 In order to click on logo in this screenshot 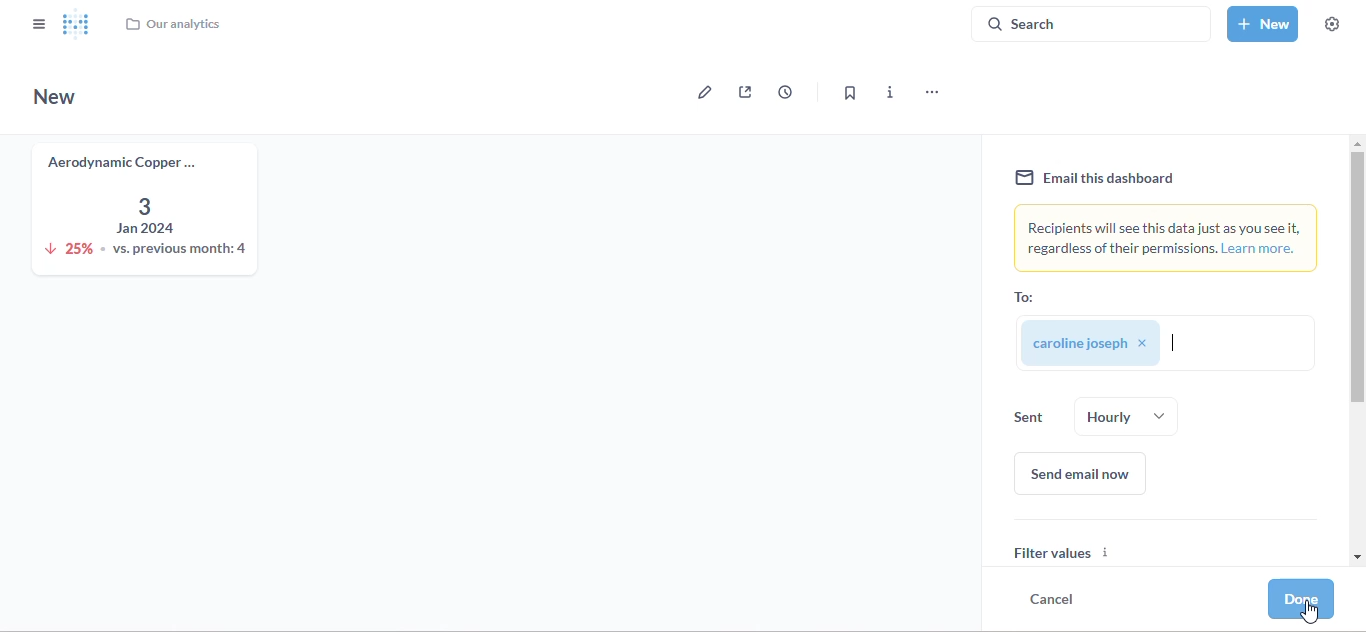, I will do `click(77, 23)`.